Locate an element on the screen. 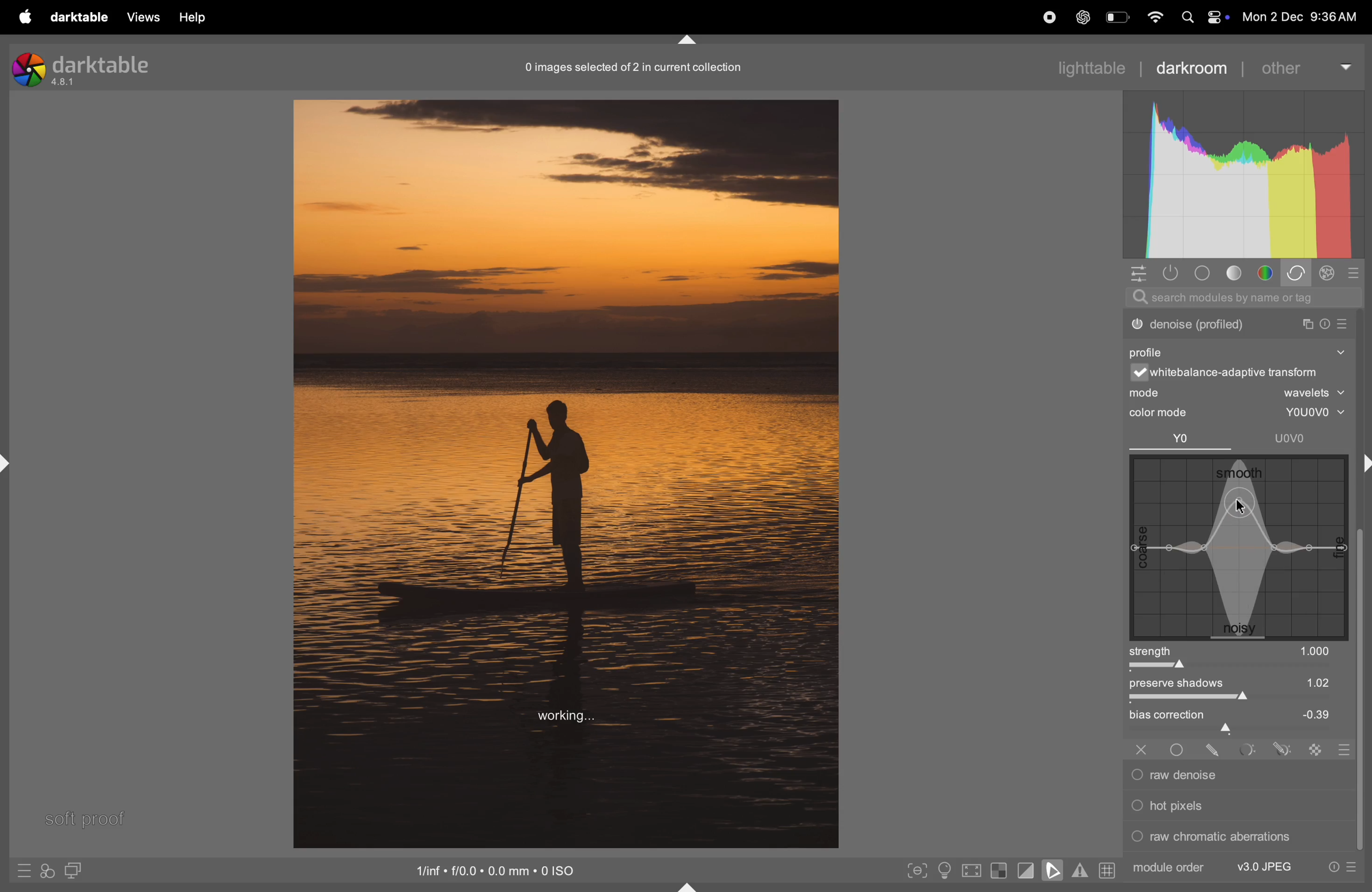 The image size is (1372, 892). apple widgets is located at coordinates (1201, 17).